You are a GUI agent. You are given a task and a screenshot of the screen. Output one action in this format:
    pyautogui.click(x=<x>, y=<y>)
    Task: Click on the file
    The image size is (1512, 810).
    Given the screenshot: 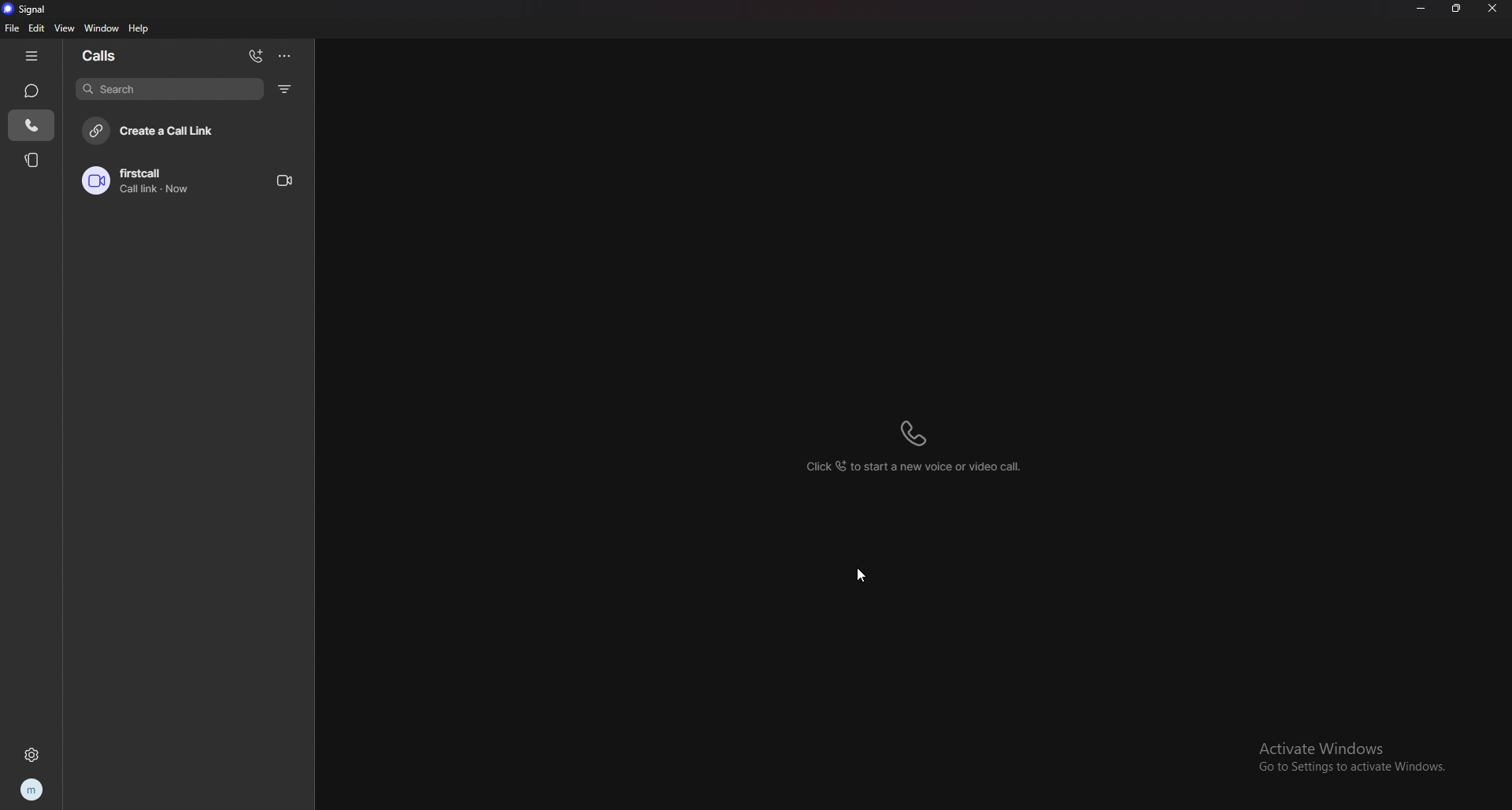 What is the action you would take?
    pyautogui.click(x=13, y=28)
    